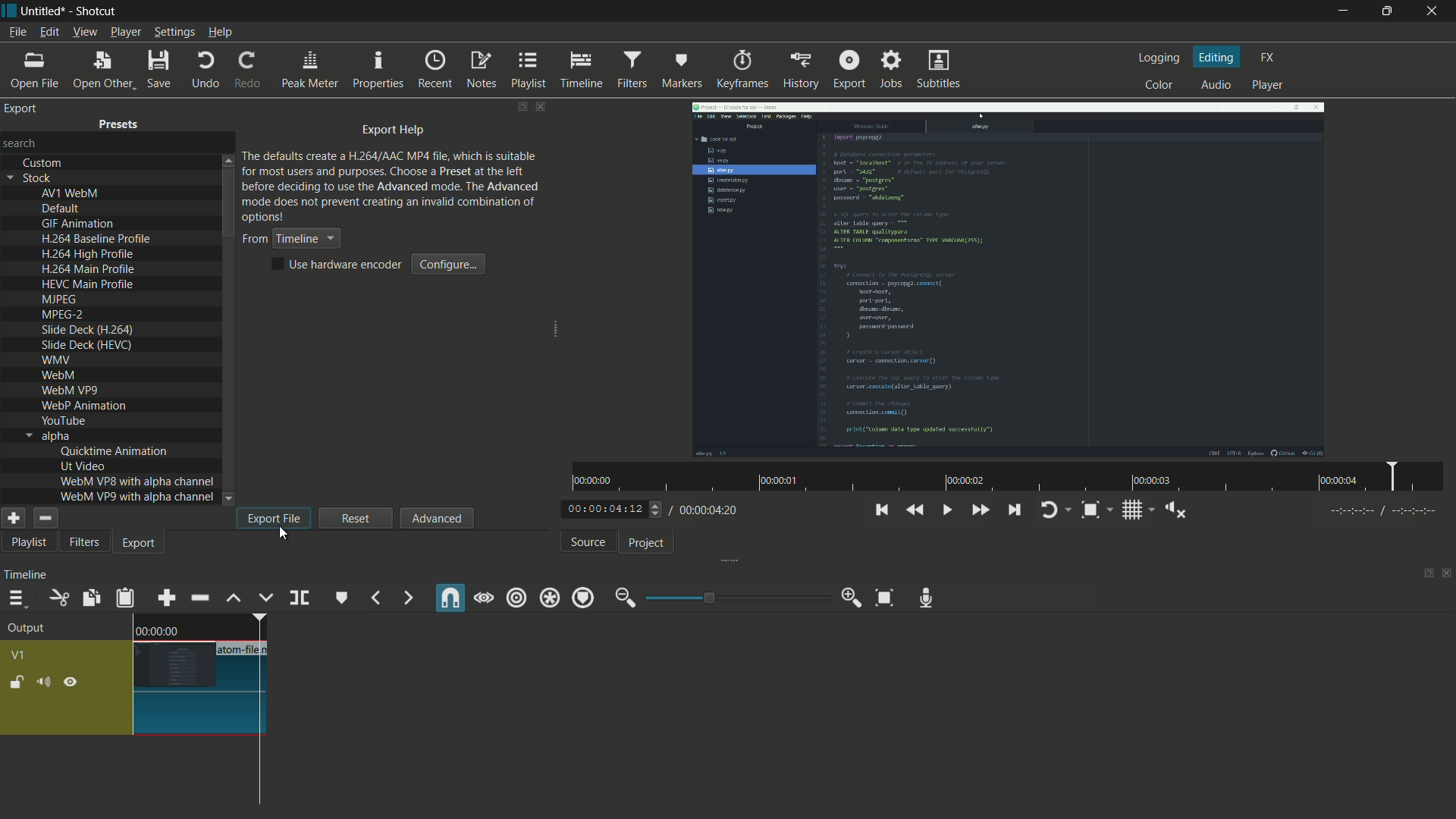 The width and height of the screenshot is (1456, 819). Describe the element at coordinates (63, 420) in the screenshot. I see `youtube` at that location.